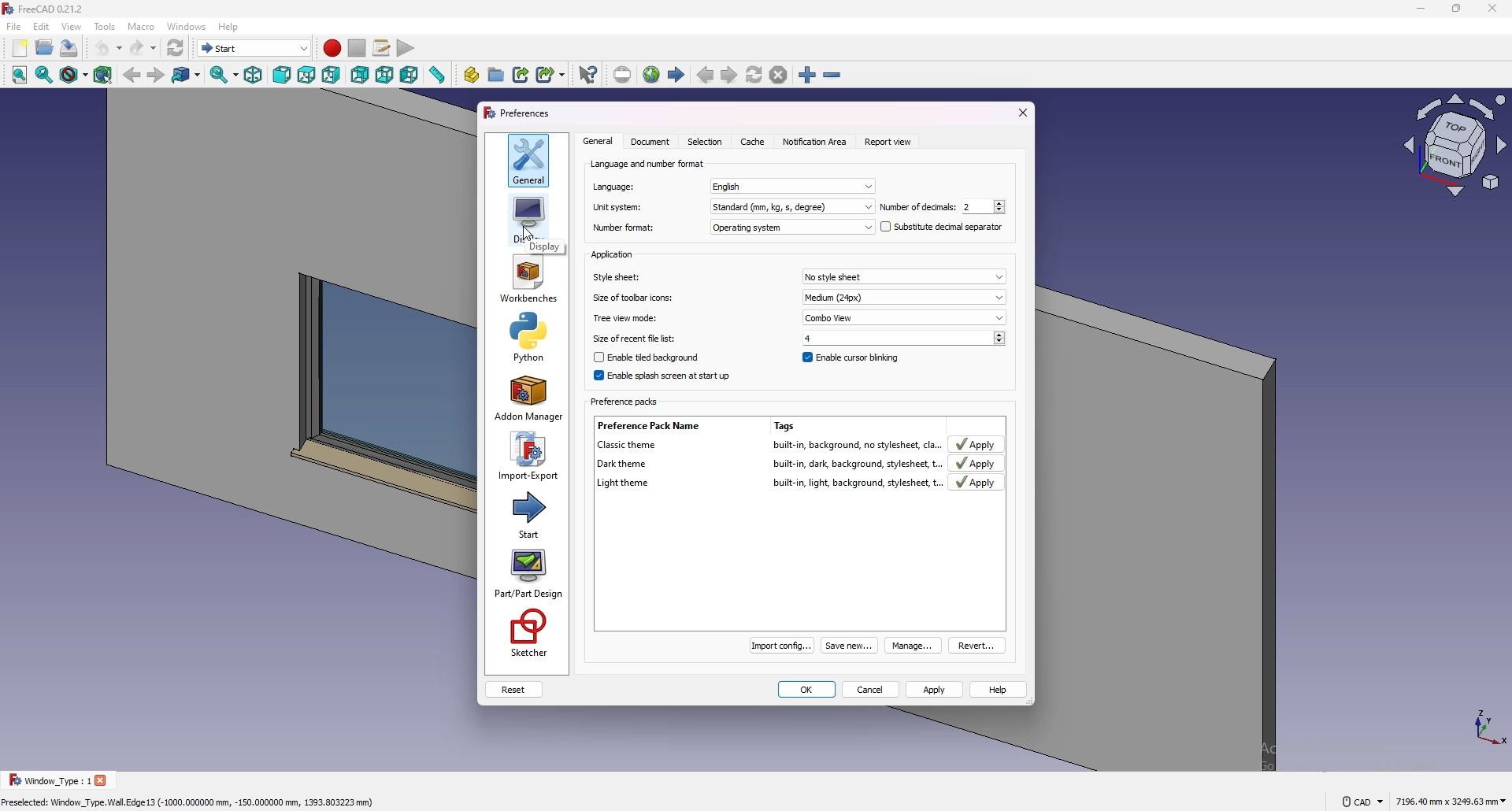 The image size is (1512, 811). What do you see at coordinates (518, 113) in the screenshot?
I see `preferences` at bounding box center [518, 113].